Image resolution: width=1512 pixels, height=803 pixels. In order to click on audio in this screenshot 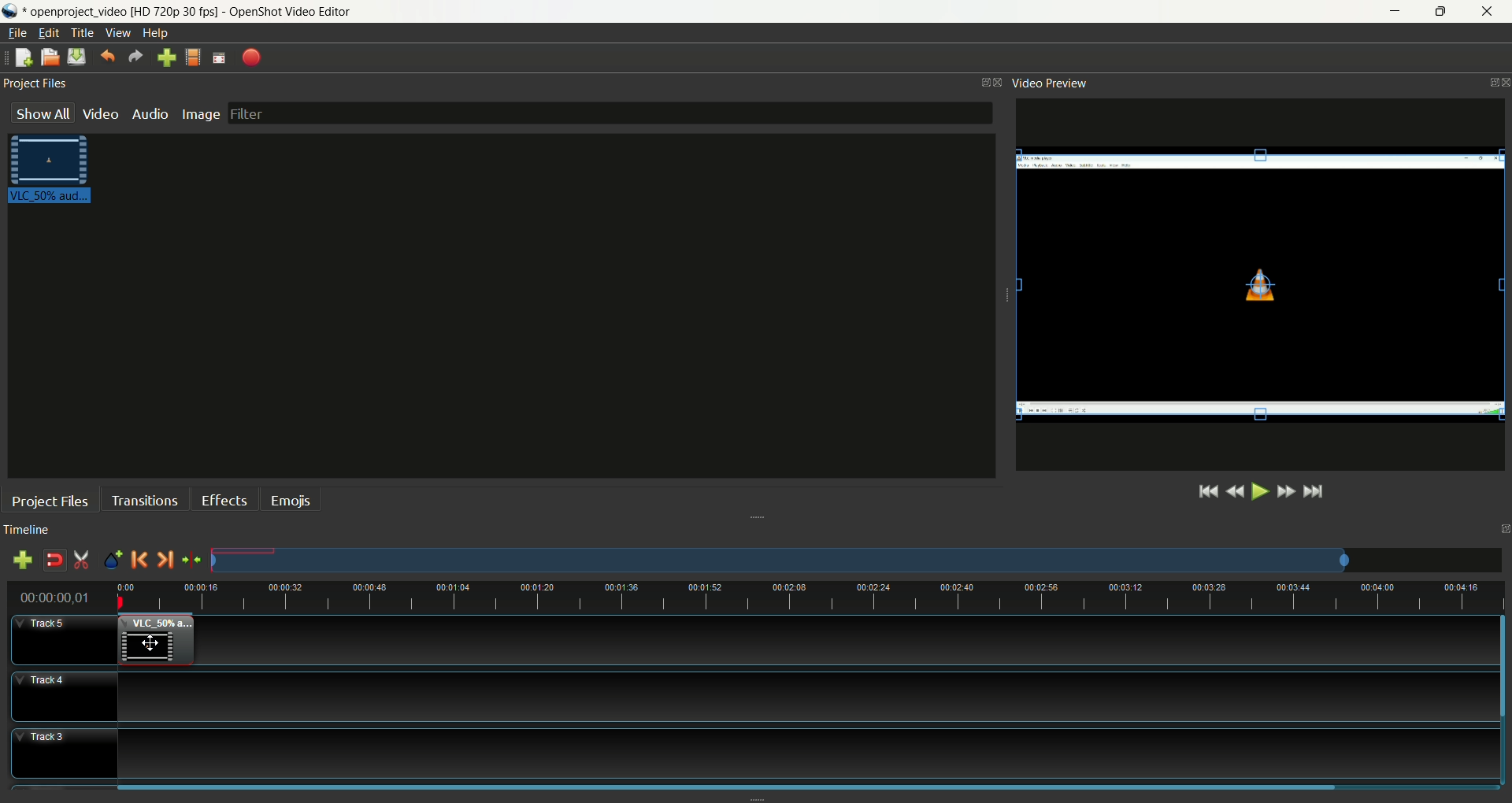, I will do `click(150, 113)`.